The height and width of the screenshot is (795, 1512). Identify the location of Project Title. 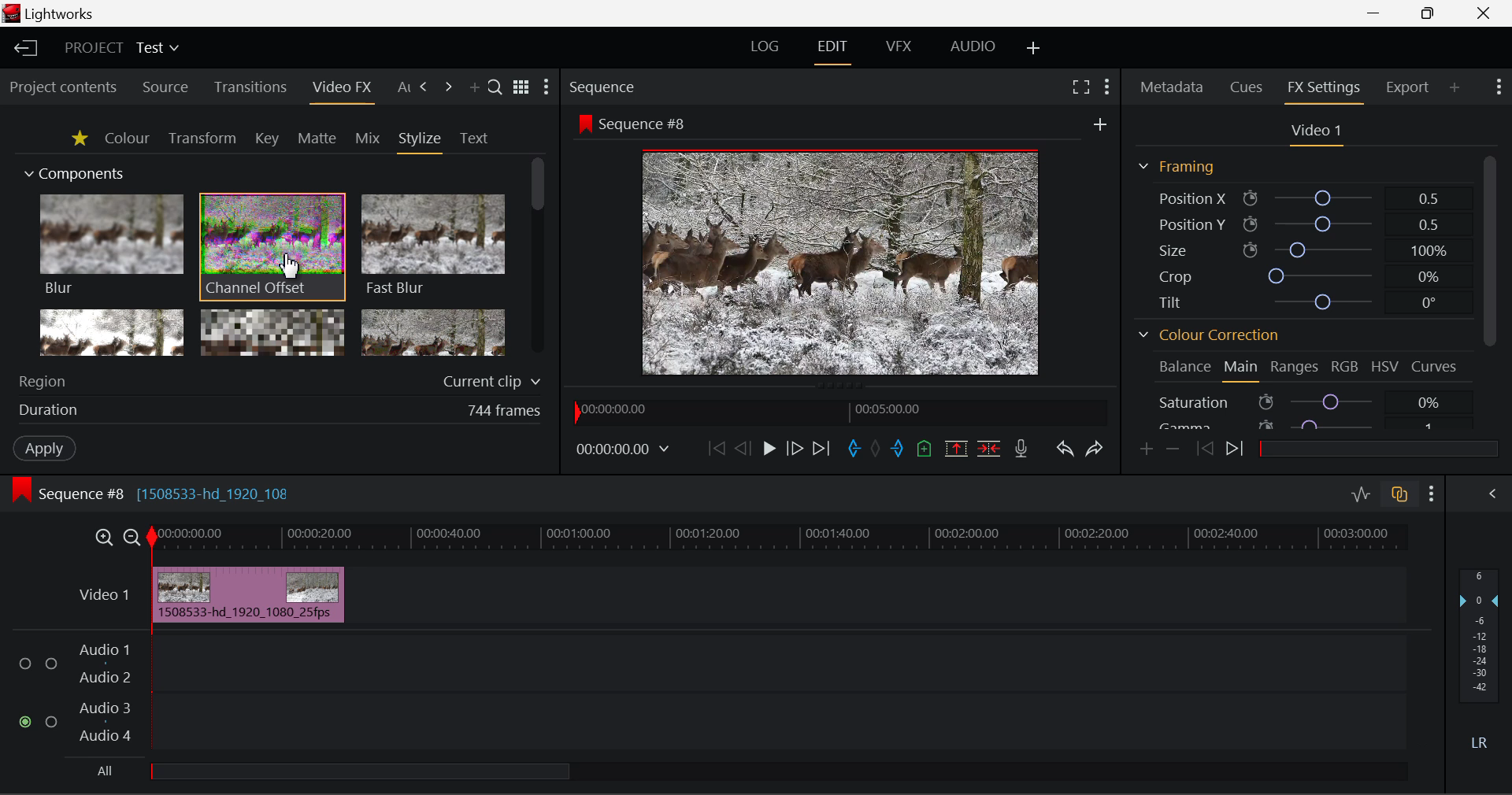
(121, 46).